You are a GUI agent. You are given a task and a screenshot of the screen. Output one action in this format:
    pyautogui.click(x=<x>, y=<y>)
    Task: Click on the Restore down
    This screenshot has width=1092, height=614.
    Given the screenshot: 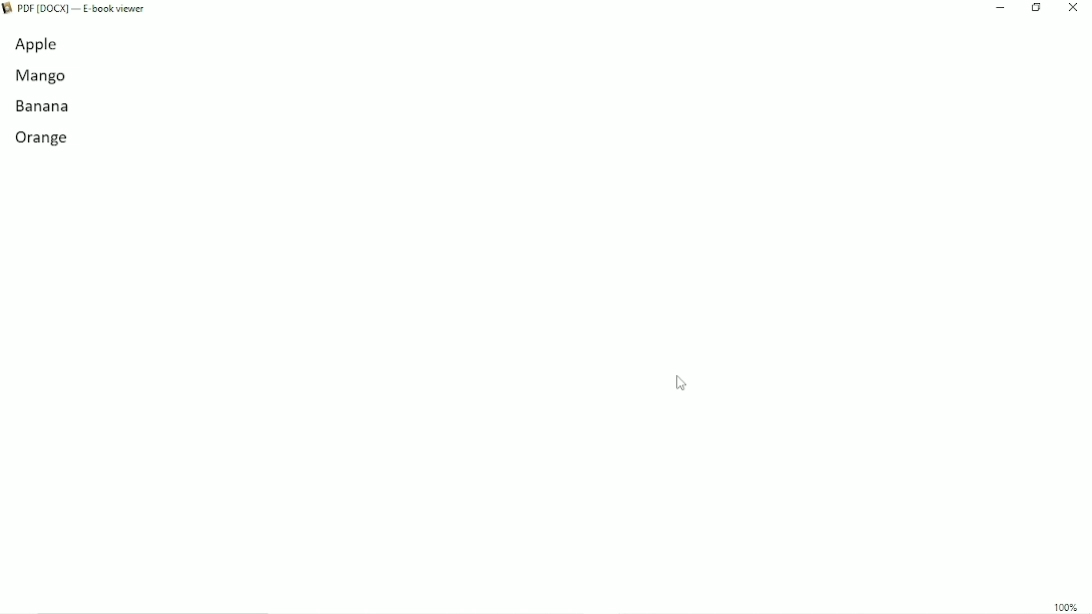 What is the action you would take?
    pyautogui.click(x=1037, y=8)
    